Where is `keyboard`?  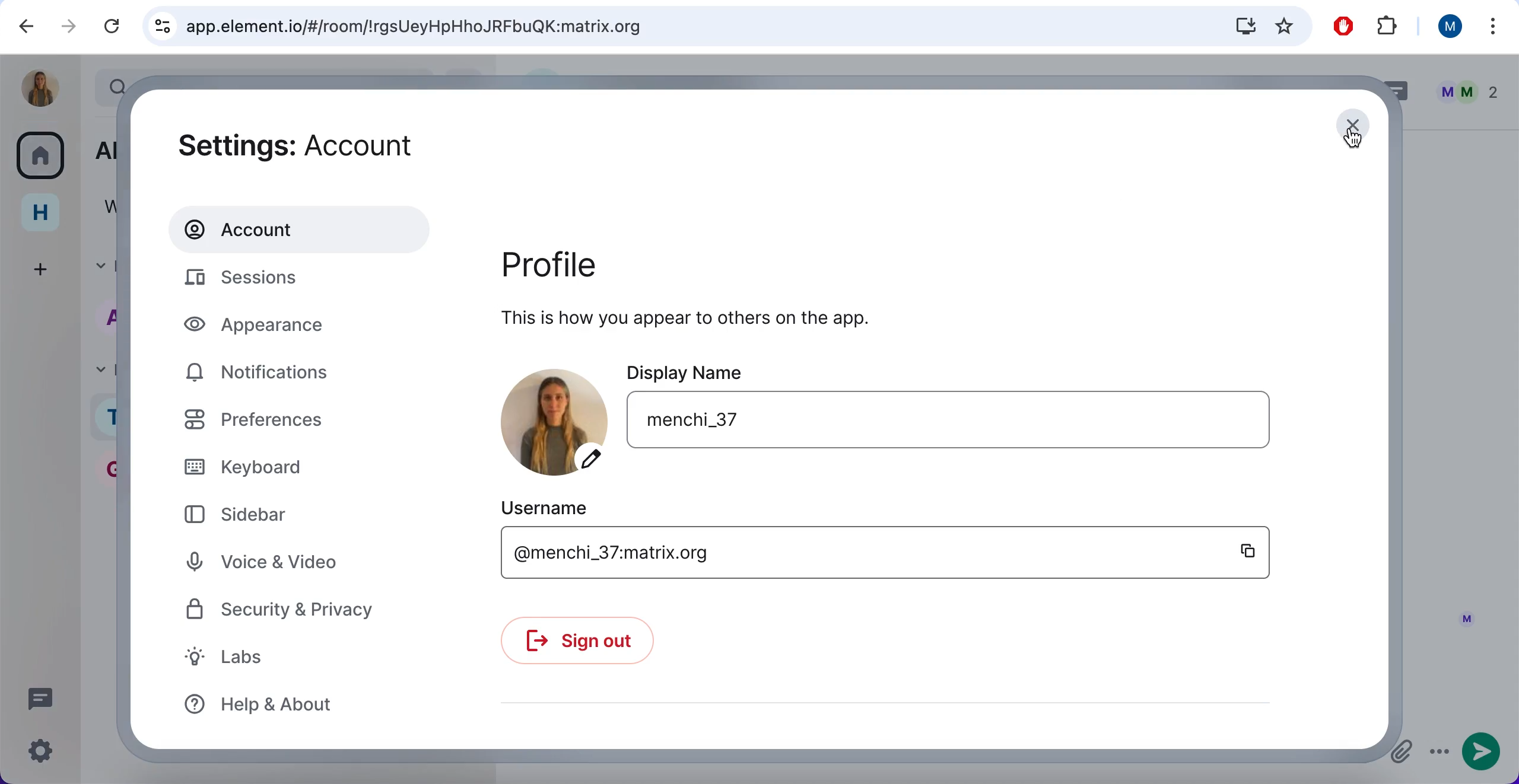 keyboard is located at coordinates (265, 466).